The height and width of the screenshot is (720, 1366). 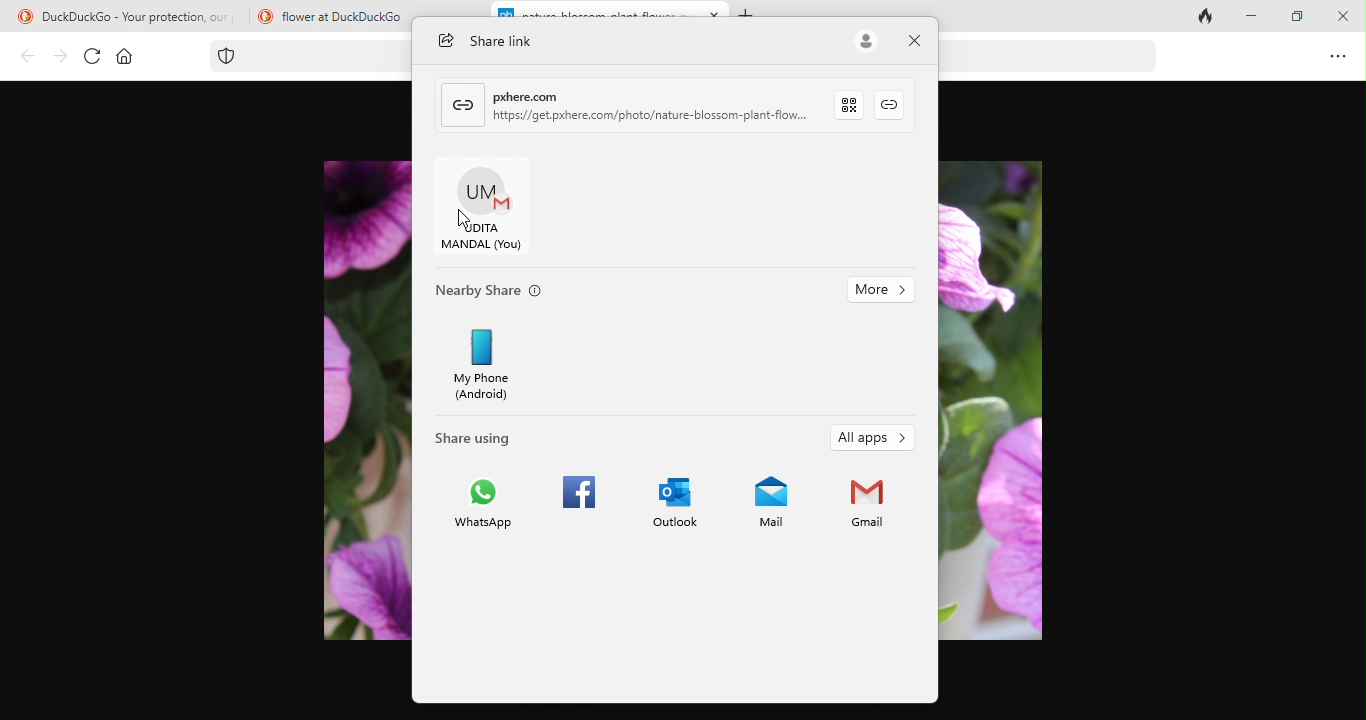 I want to click on add, so click(x=750, y=10).